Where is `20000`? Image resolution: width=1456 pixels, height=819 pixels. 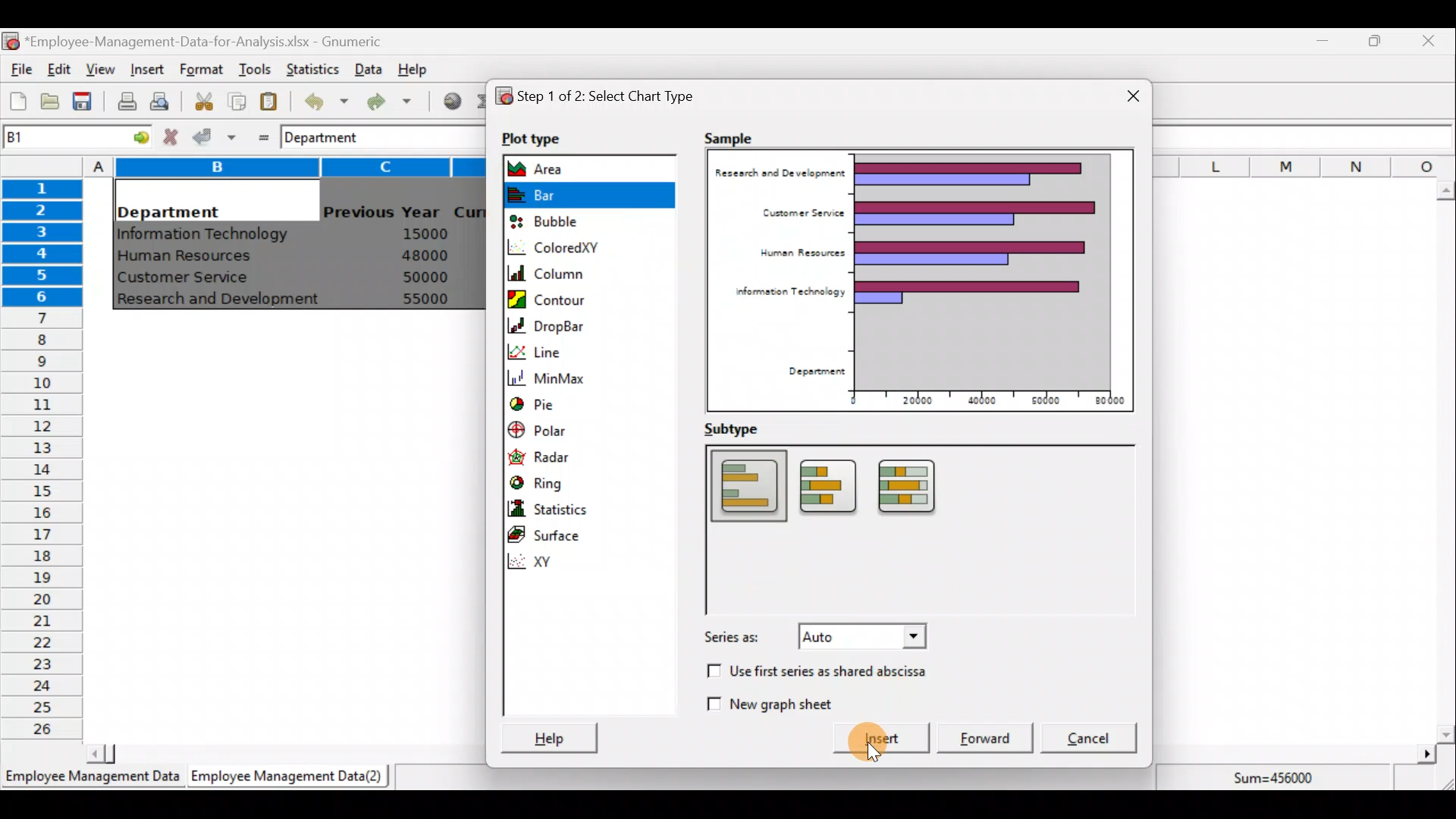
20000 is located at coordinates (920, 398).